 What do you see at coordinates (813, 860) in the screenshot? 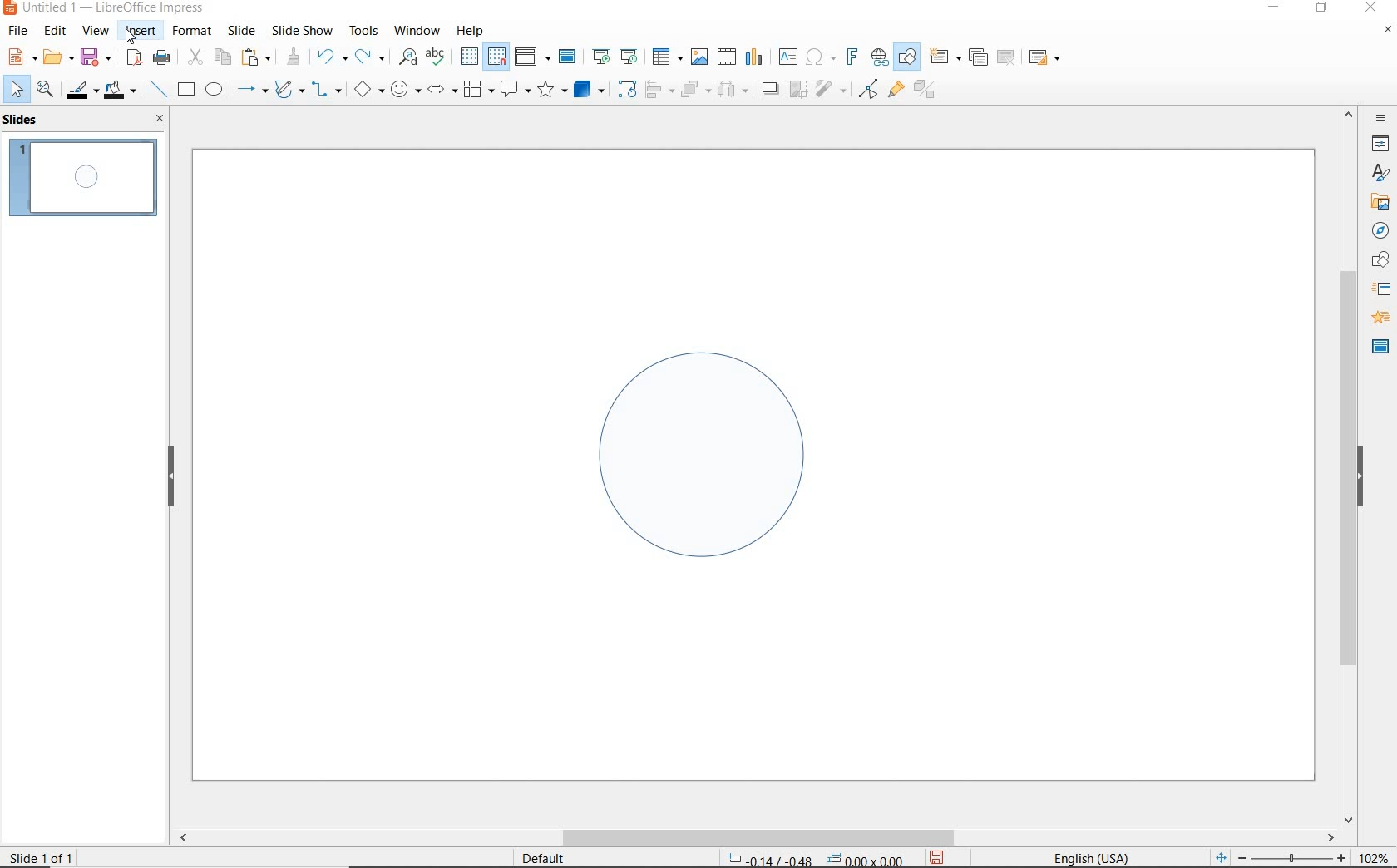
I see `coordinates` at bounding box center [813, 860].